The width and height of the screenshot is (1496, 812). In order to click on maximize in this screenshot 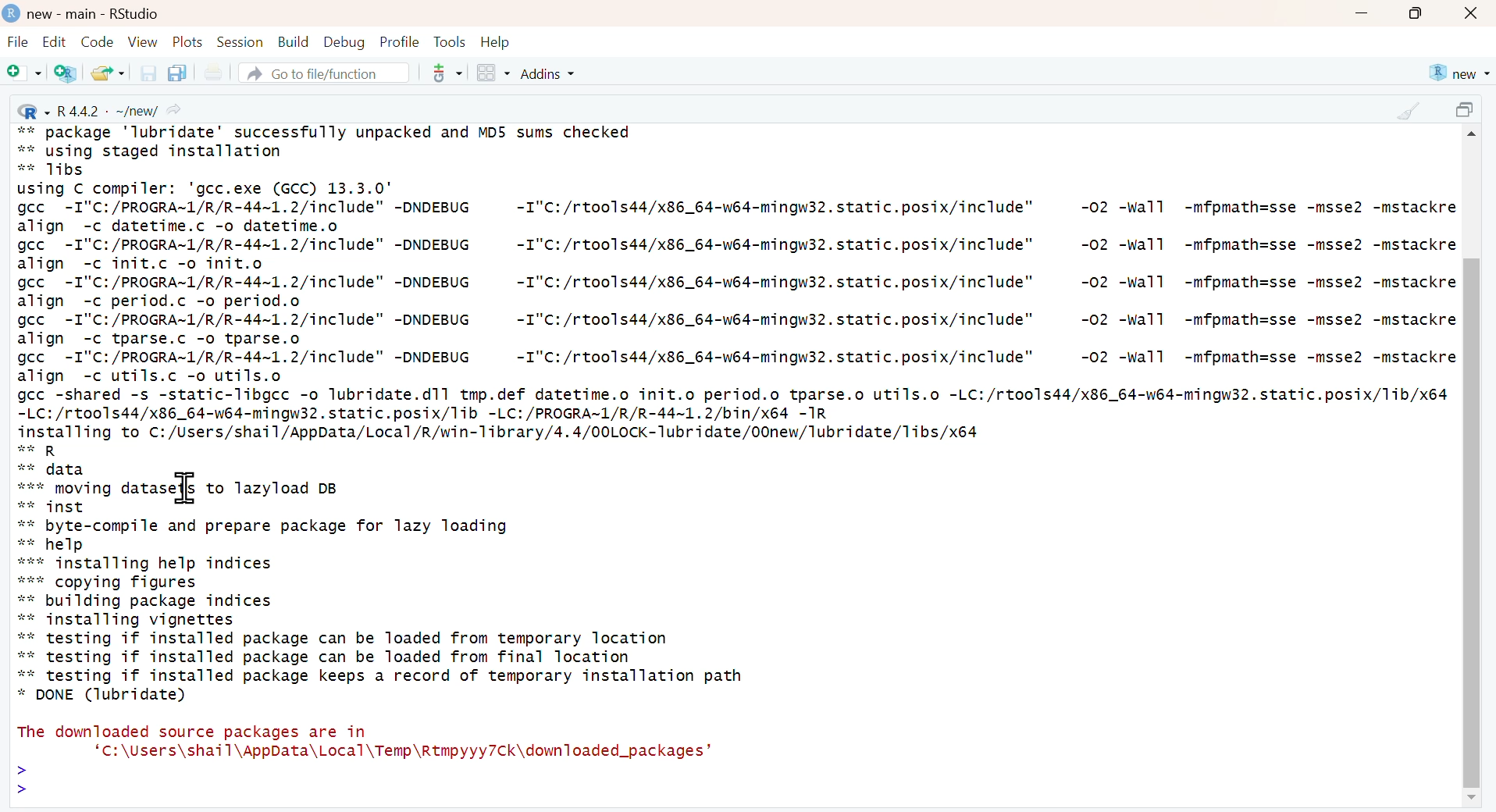, I will do `click(1416, 13)`.